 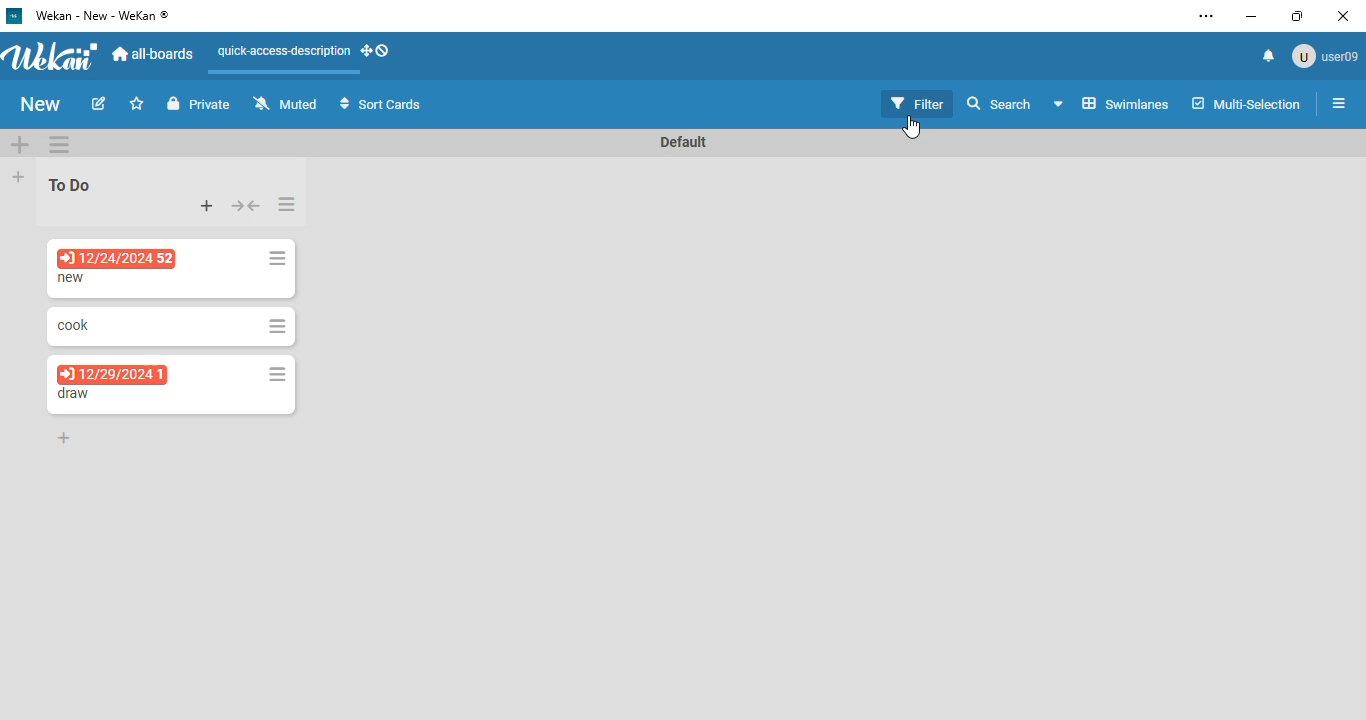 What do you see at coordinates (137, 103) in the screenshot?
I see `click to star this board` at bounding box center [137, 103].